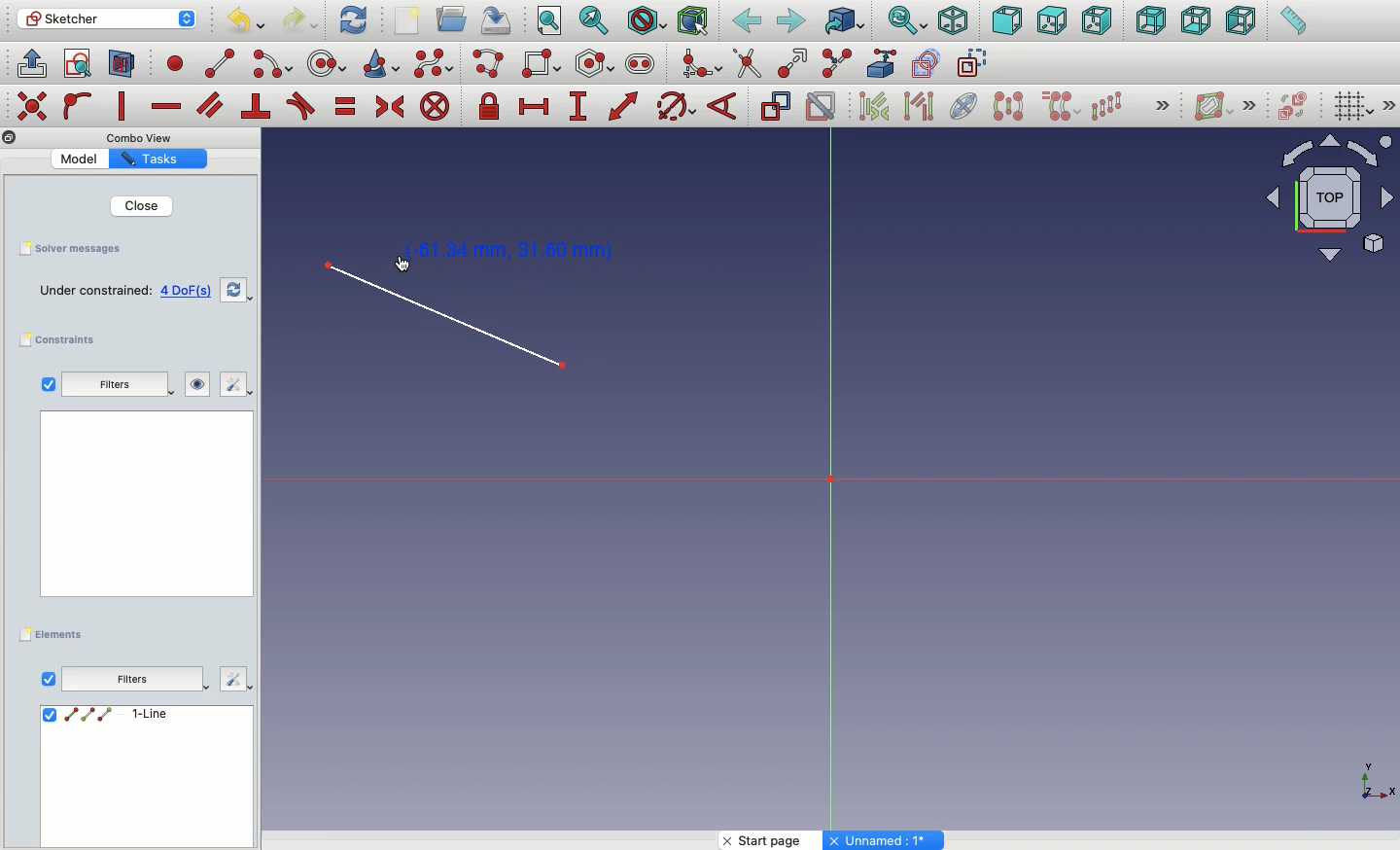  I want to click on Save, so click(81, 250).